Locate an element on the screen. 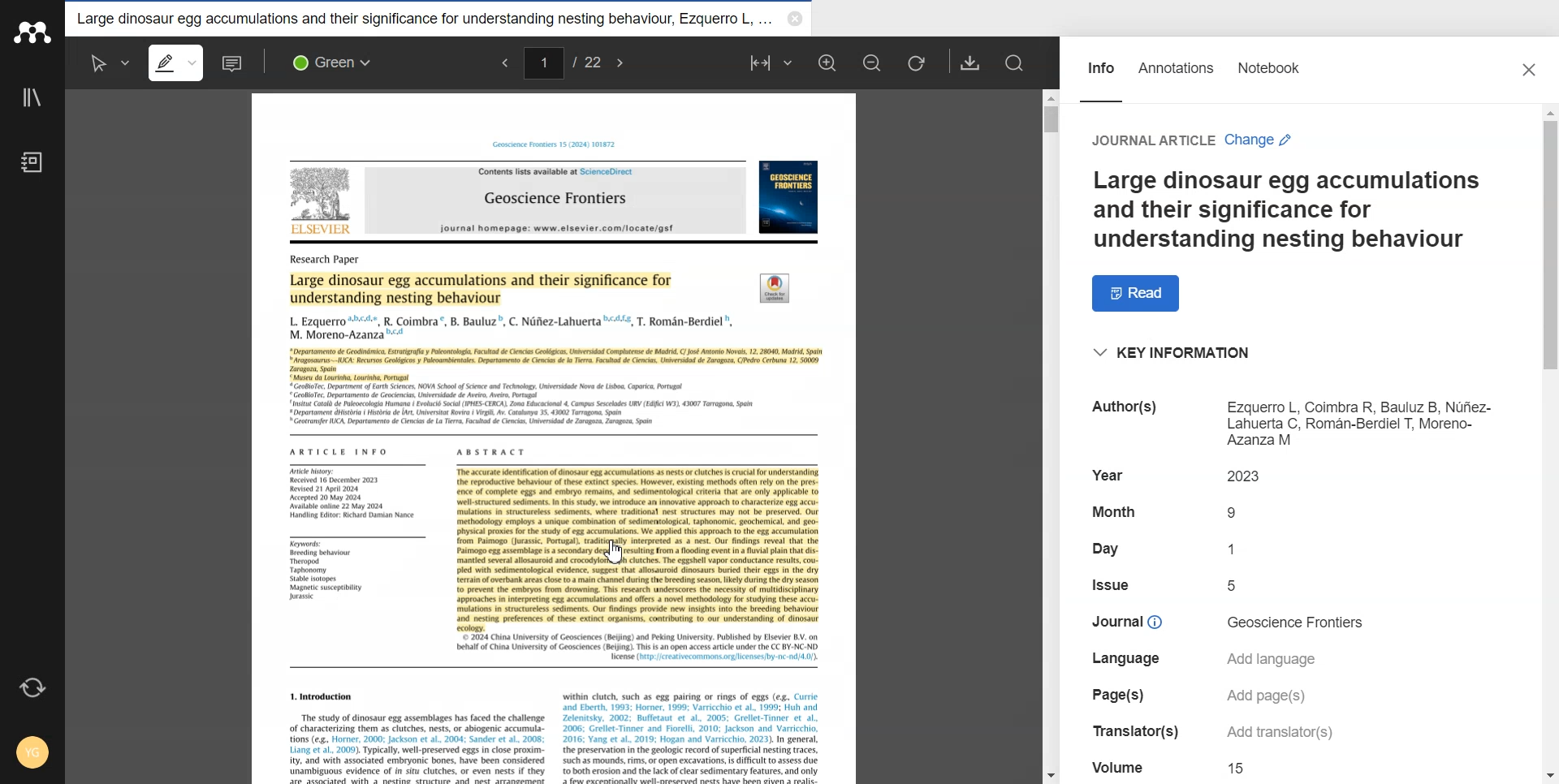 The width and height of the screenshot is (1559, 784). Colors is located at coordinates (337, 62).